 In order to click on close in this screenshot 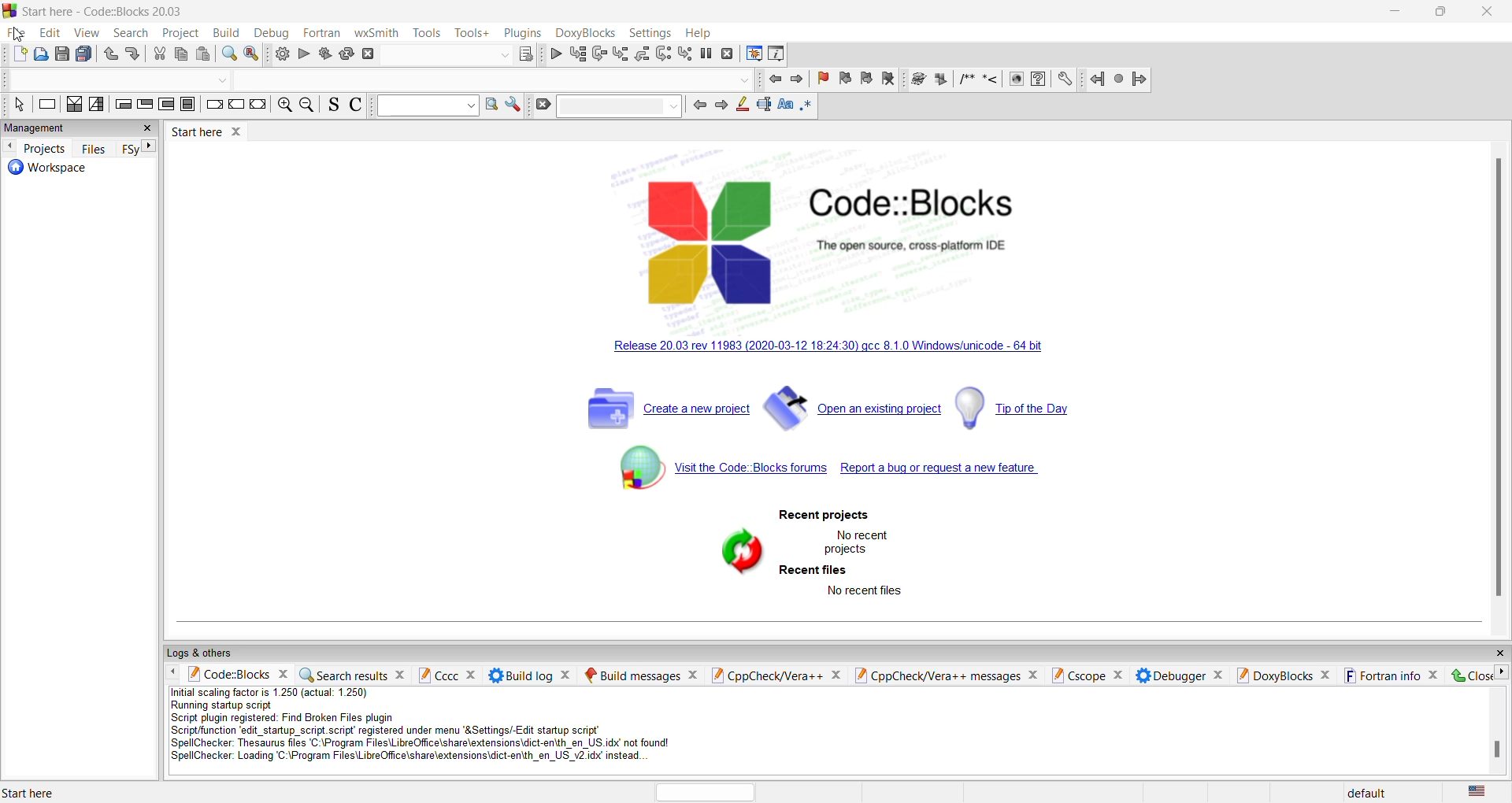, I will do `click(282, 674)`.